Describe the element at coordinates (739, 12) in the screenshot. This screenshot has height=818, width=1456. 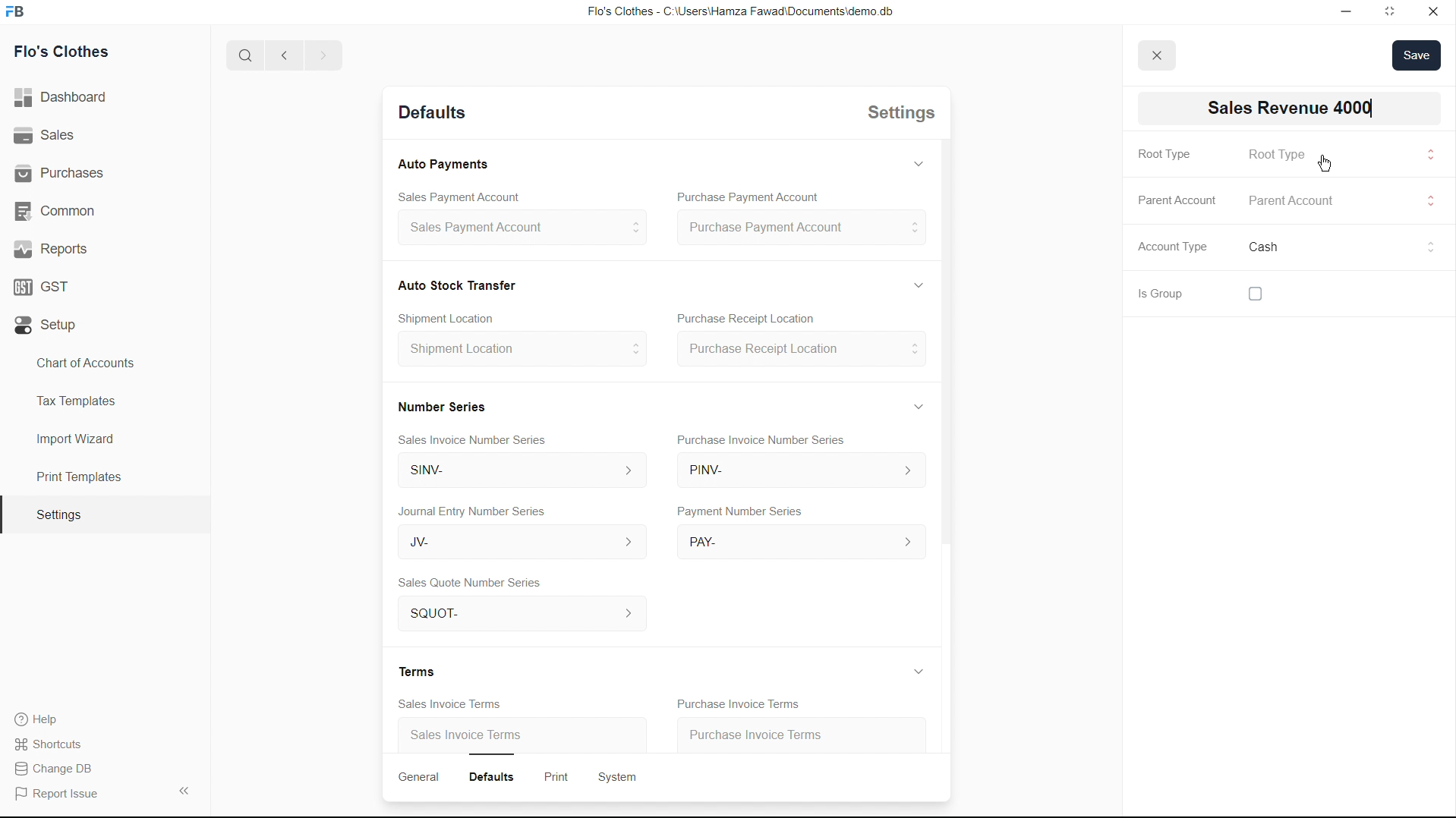
I see `Flo's Clothes - C:\Users\Hamza Fawad\Documents\demo db` at that location.